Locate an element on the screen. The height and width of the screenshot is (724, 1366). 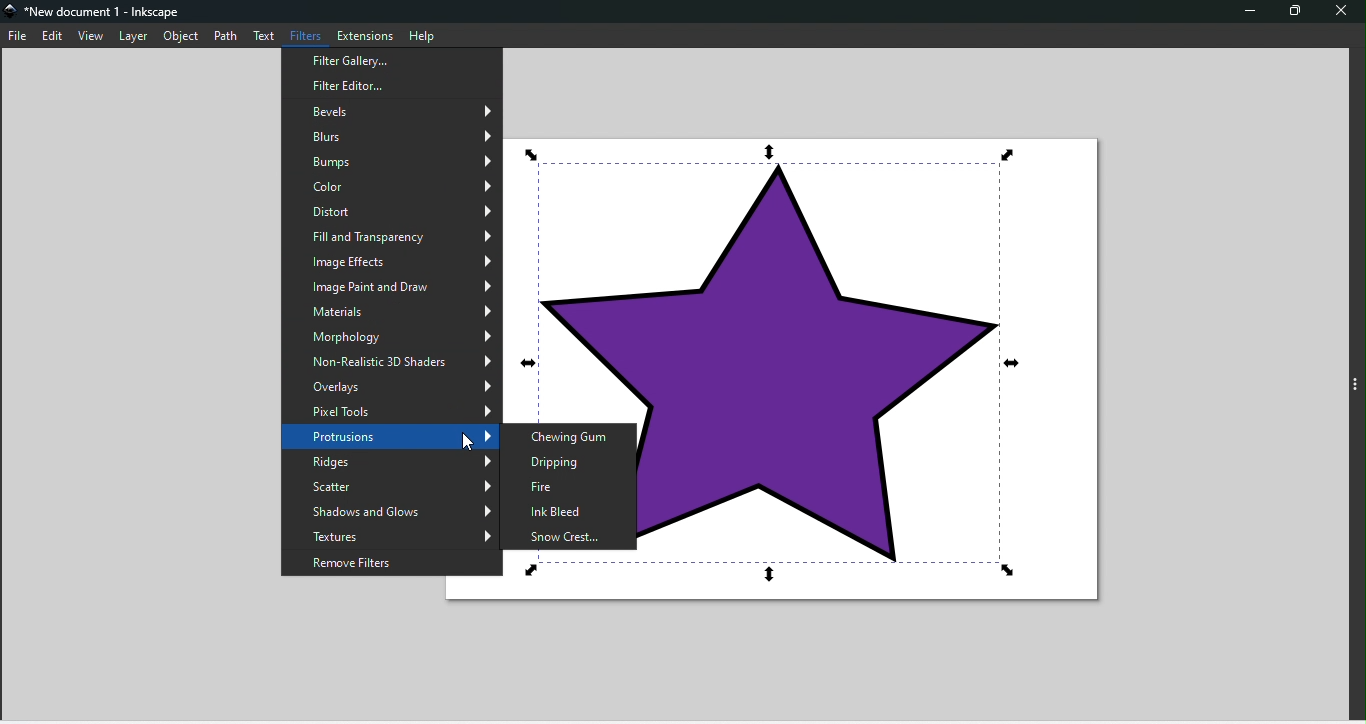
Extensions is located at coordinates (366, 34).